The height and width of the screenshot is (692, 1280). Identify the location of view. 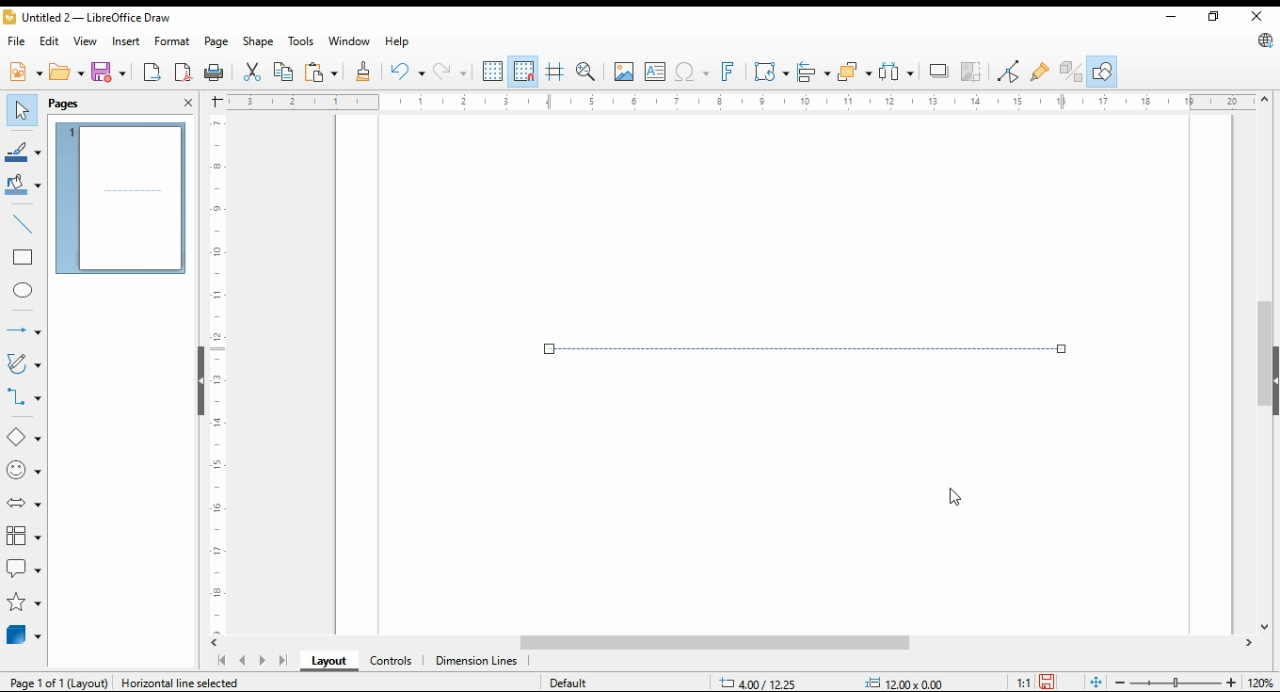
(86, 41).